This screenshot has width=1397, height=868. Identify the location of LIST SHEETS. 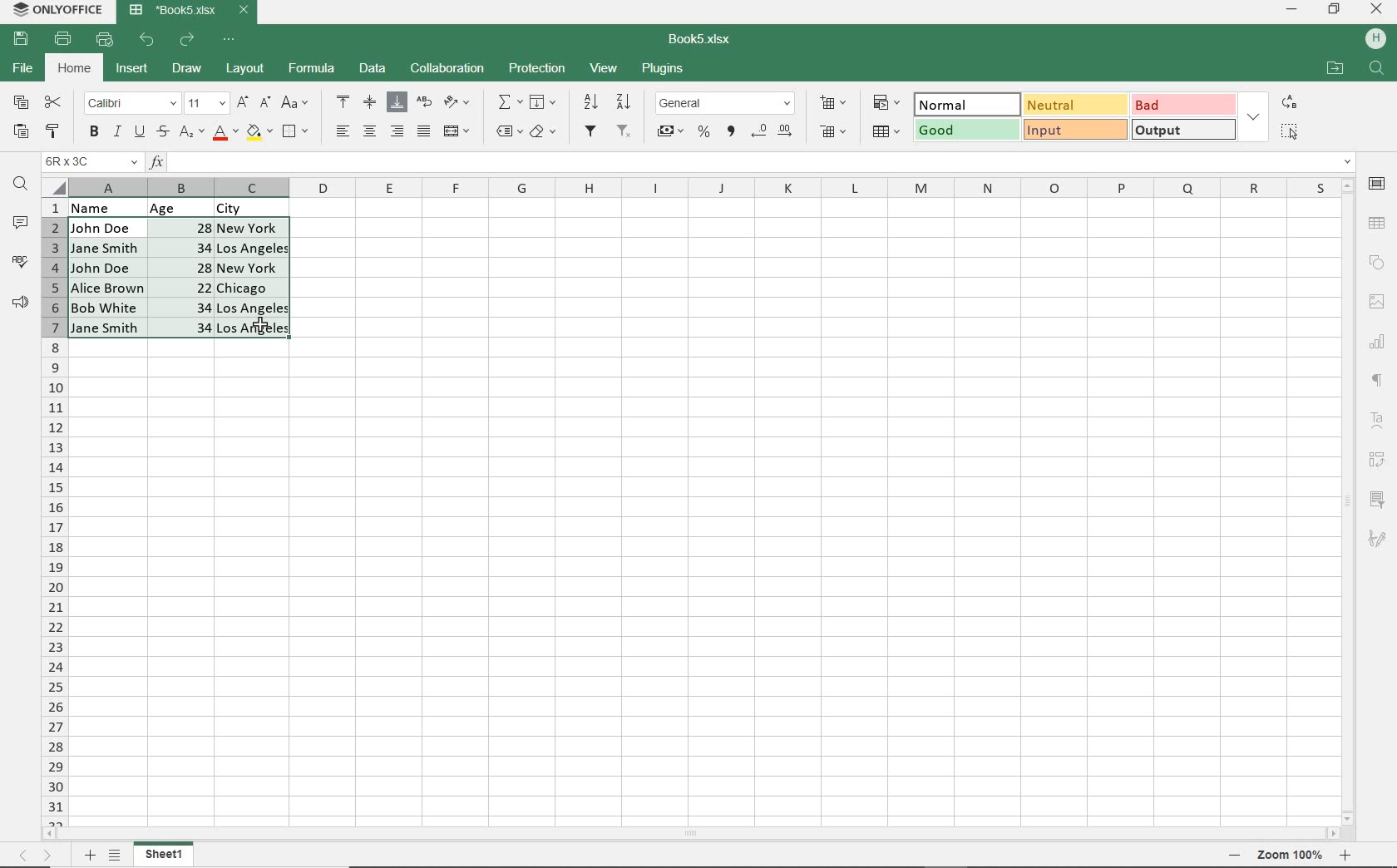
(118, 856).